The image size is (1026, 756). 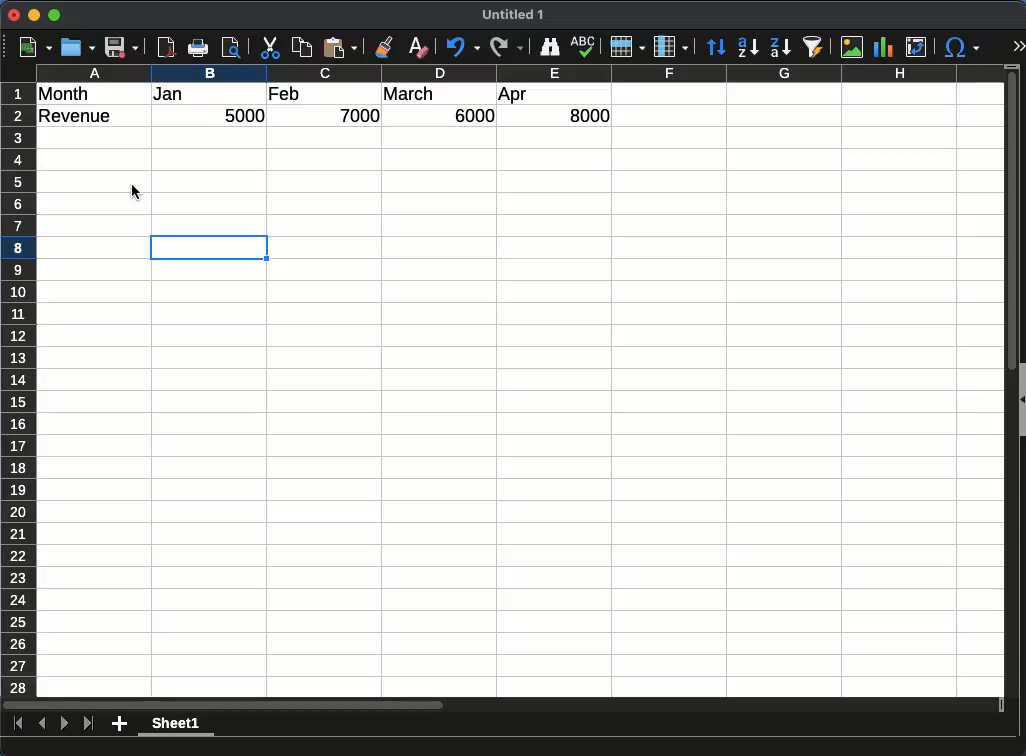 What do you see at coordinates (471, 115) in the screenshot?
I see `6000` at bounding box center [471, 115].